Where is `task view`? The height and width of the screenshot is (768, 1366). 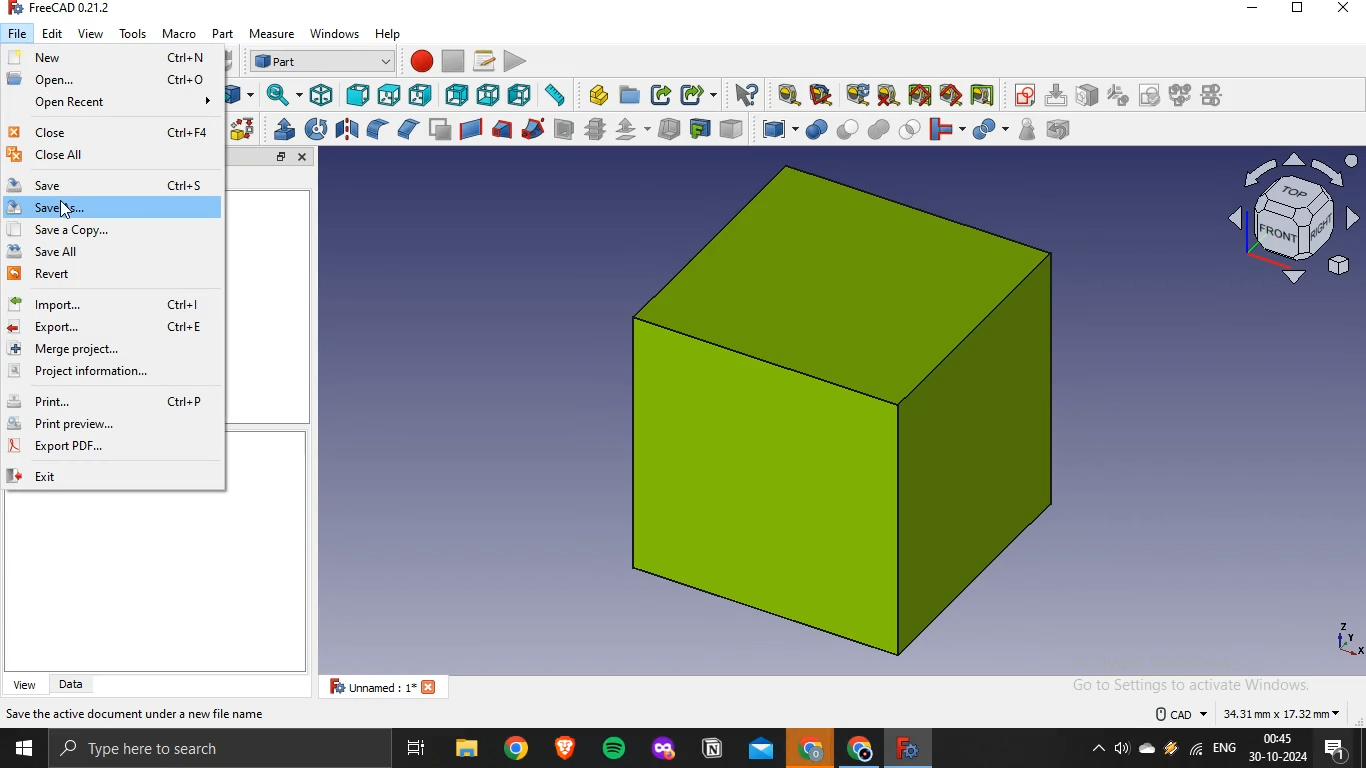 task view is located at coordinates (420, 749).